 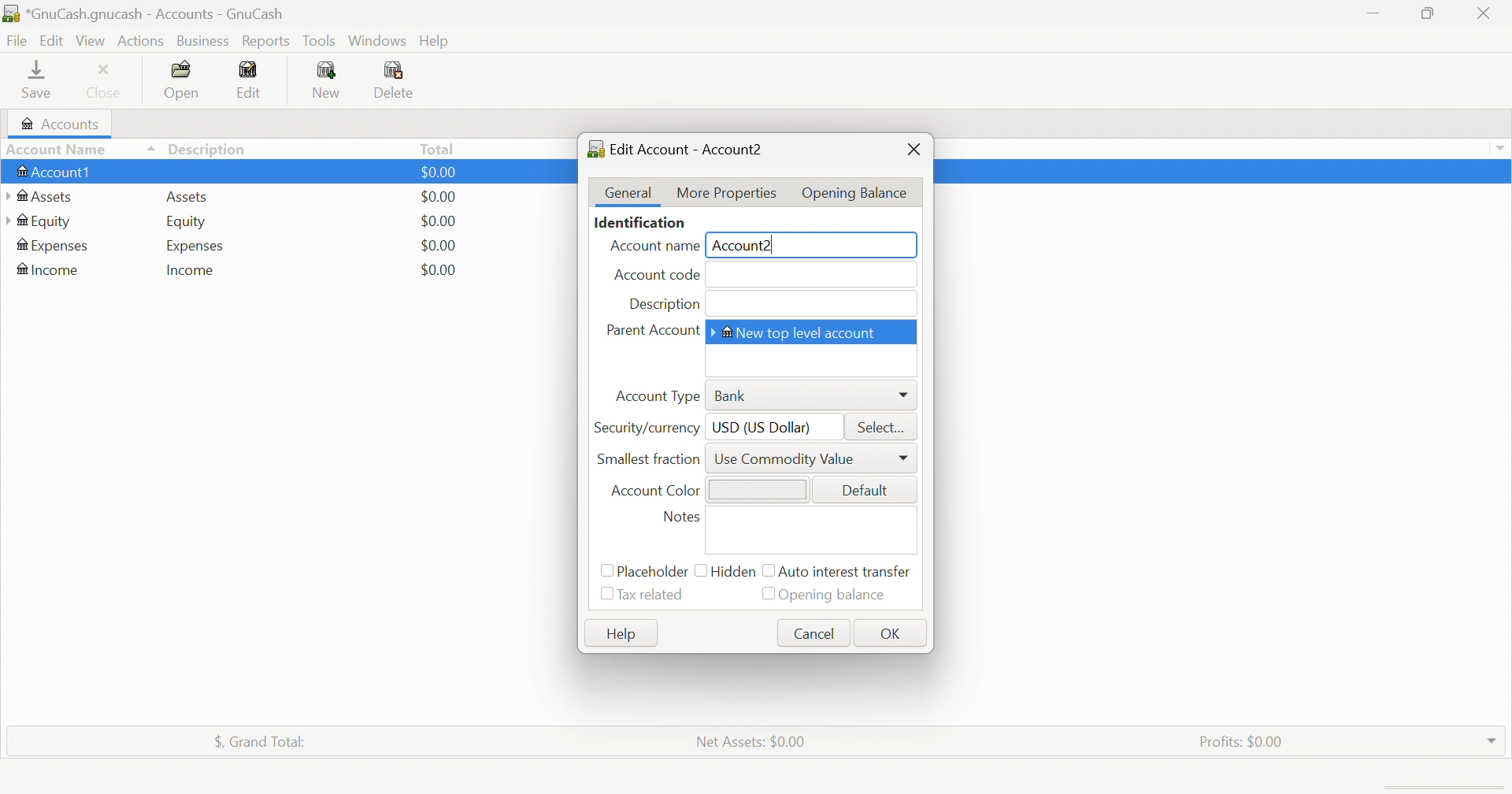 What do you see at coordinates (904, 394) in the screenshot?
I see `More` at bounding box center [904, 394].